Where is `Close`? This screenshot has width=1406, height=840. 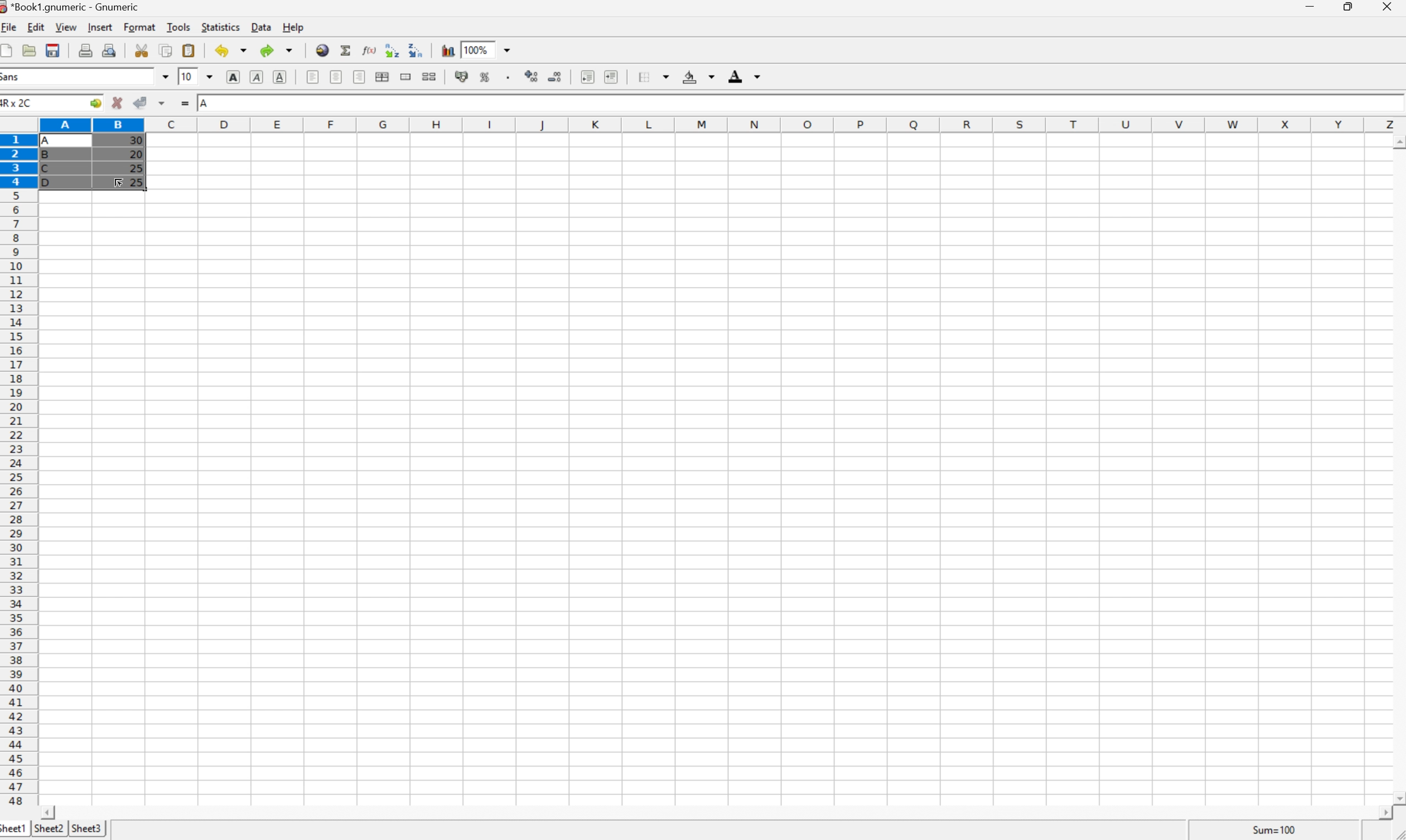 Close is located at coordinates (1388, 7).